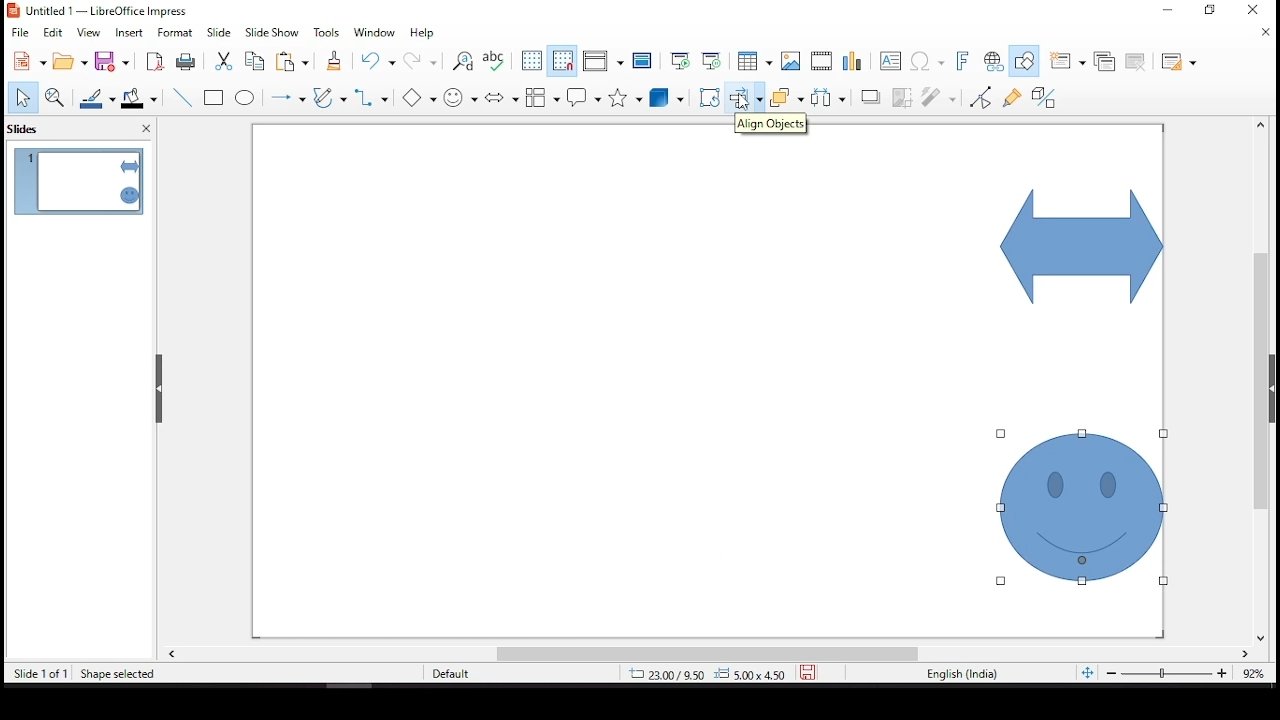 This screenshot has height=720, width=1280. Describe the element at coordinates (623, 96) in the screenshot. I see `stars and banners` at that location.